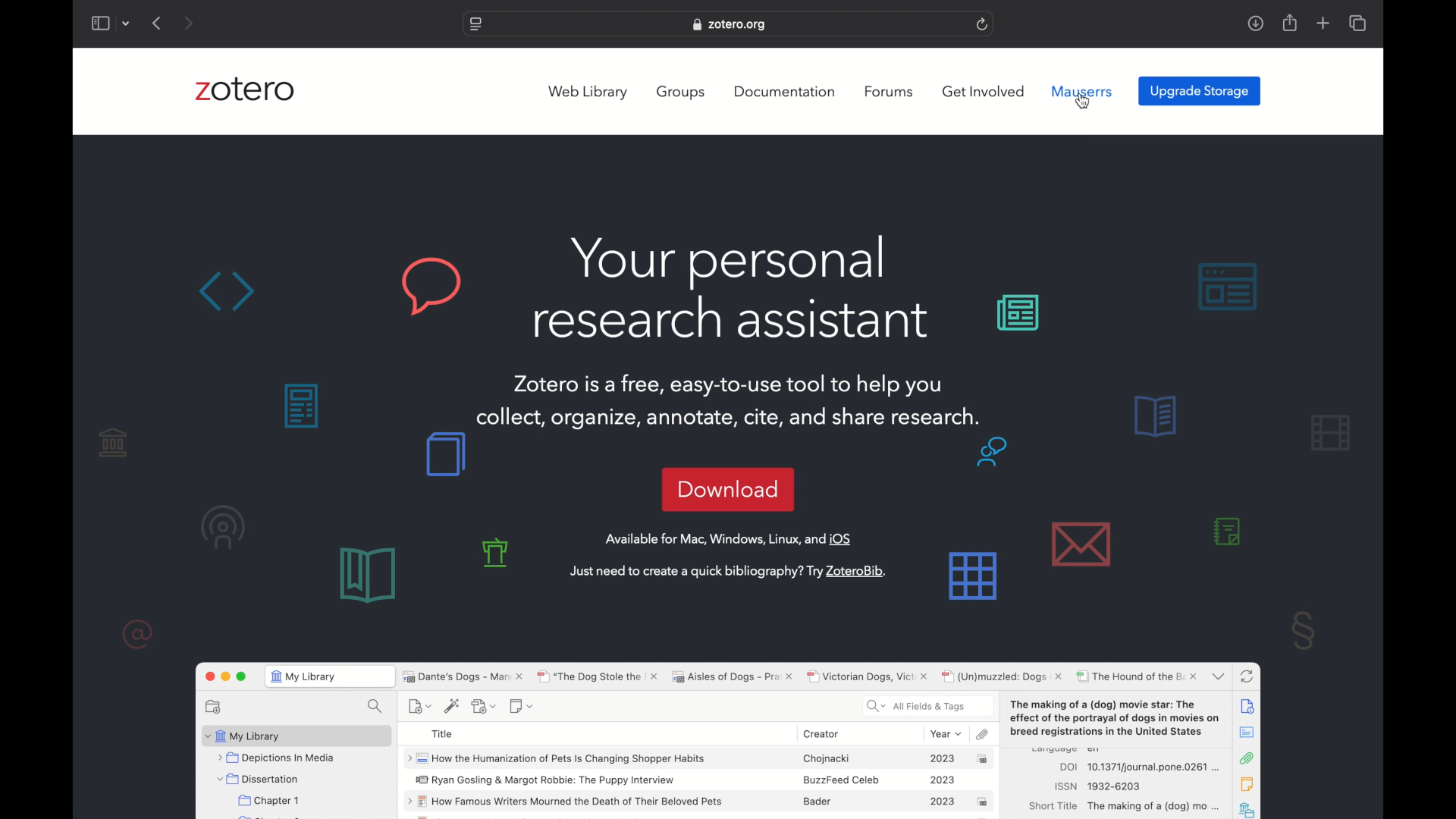 This screenshot has width=1456, height=819. Describe the element at coordinates (1082, 91) in the screenshot. I see `mauserrs` at that location.